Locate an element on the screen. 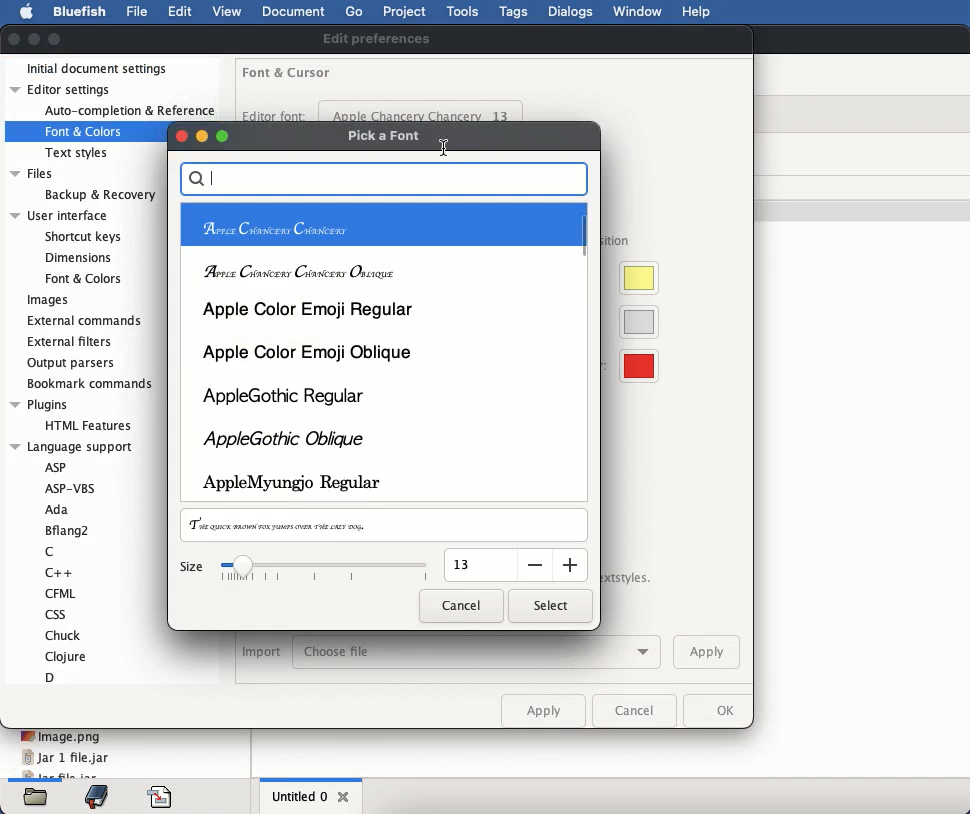 This screenshot has height=814, width=970. Font & Colors is located at coordinates (86, 132).